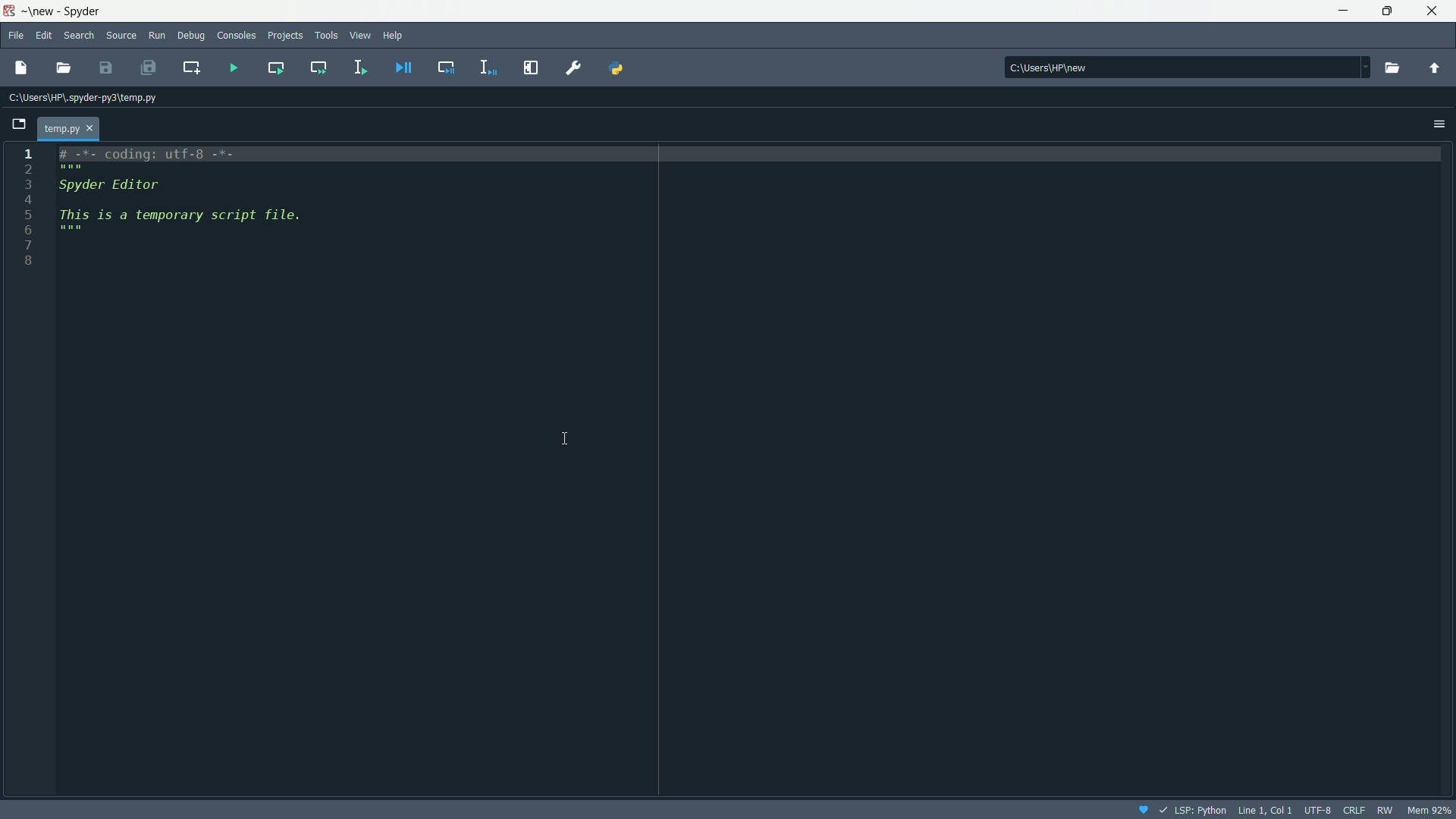 Image resolution: width=1456 pixels, height=819 pixels. Describe the element at coordinates (1341, 9) in the screenshot. I see `minimize` at that location.